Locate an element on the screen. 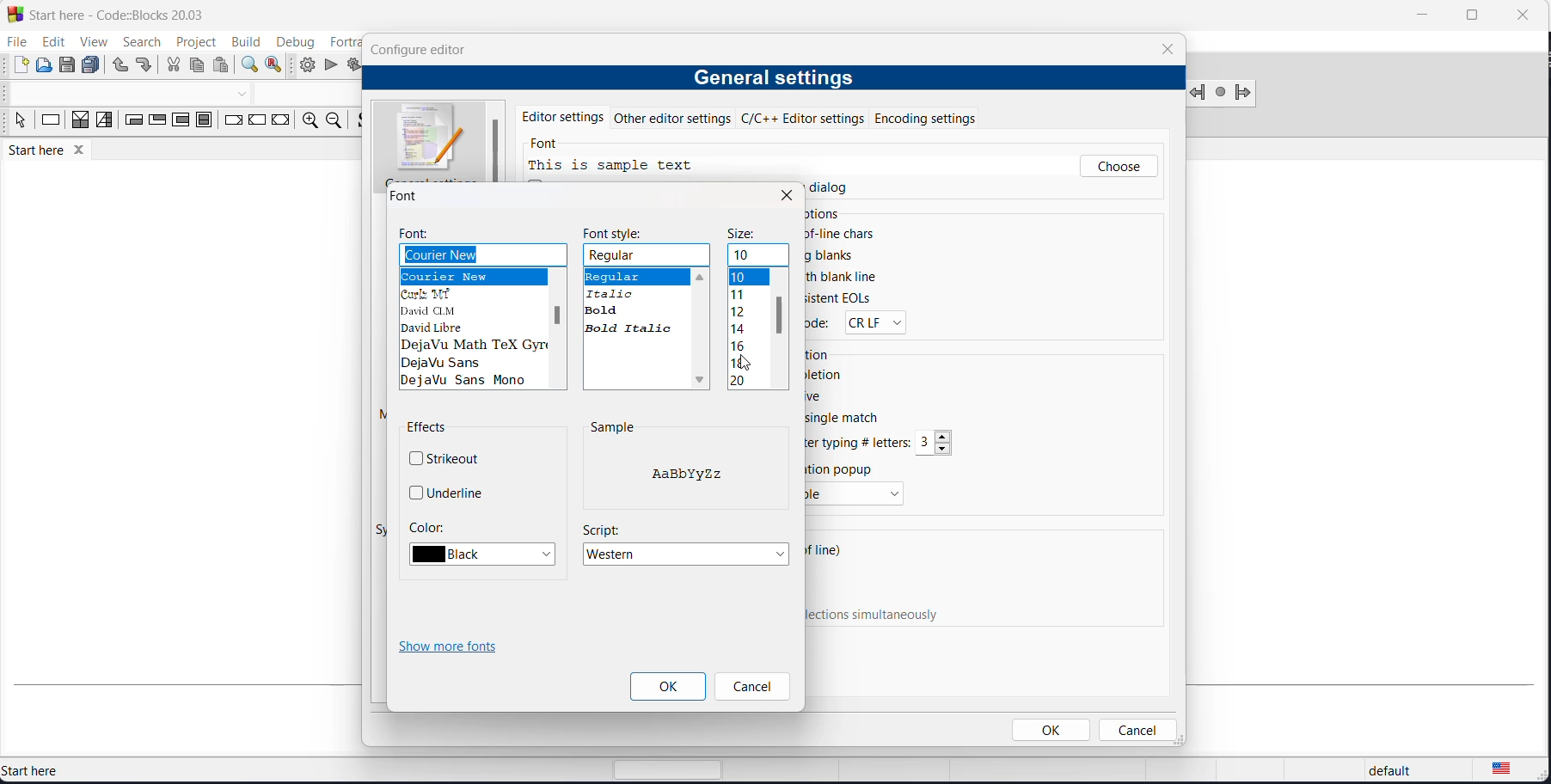  Menu is located at coordinates (855, 495).